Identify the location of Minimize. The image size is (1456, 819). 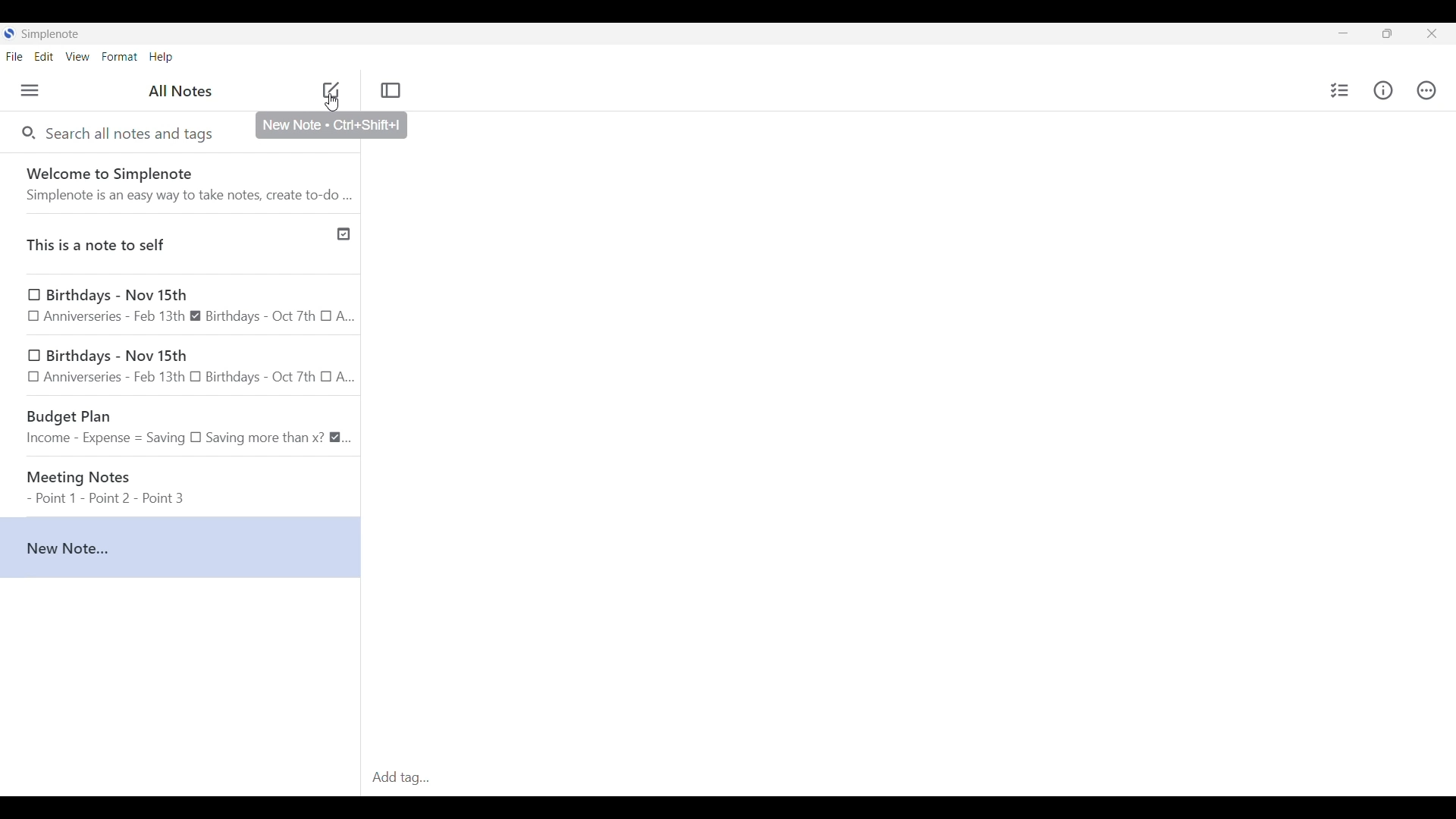
(1343, 33).